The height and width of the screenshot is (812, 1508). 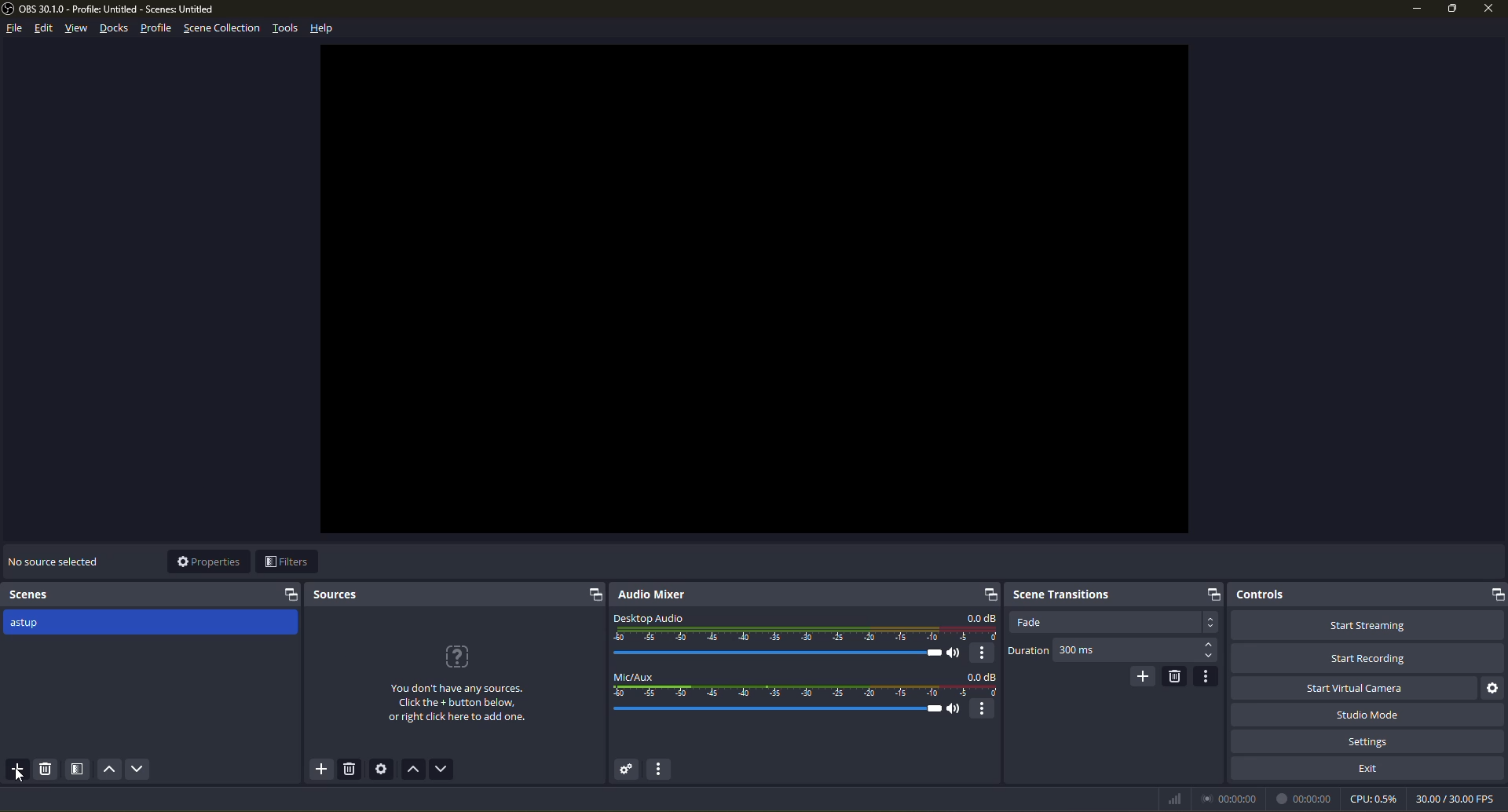 What do you see at coordinates (382, 768) in the screenshot?
I see `open source properties` at bounding box center [382, 768].